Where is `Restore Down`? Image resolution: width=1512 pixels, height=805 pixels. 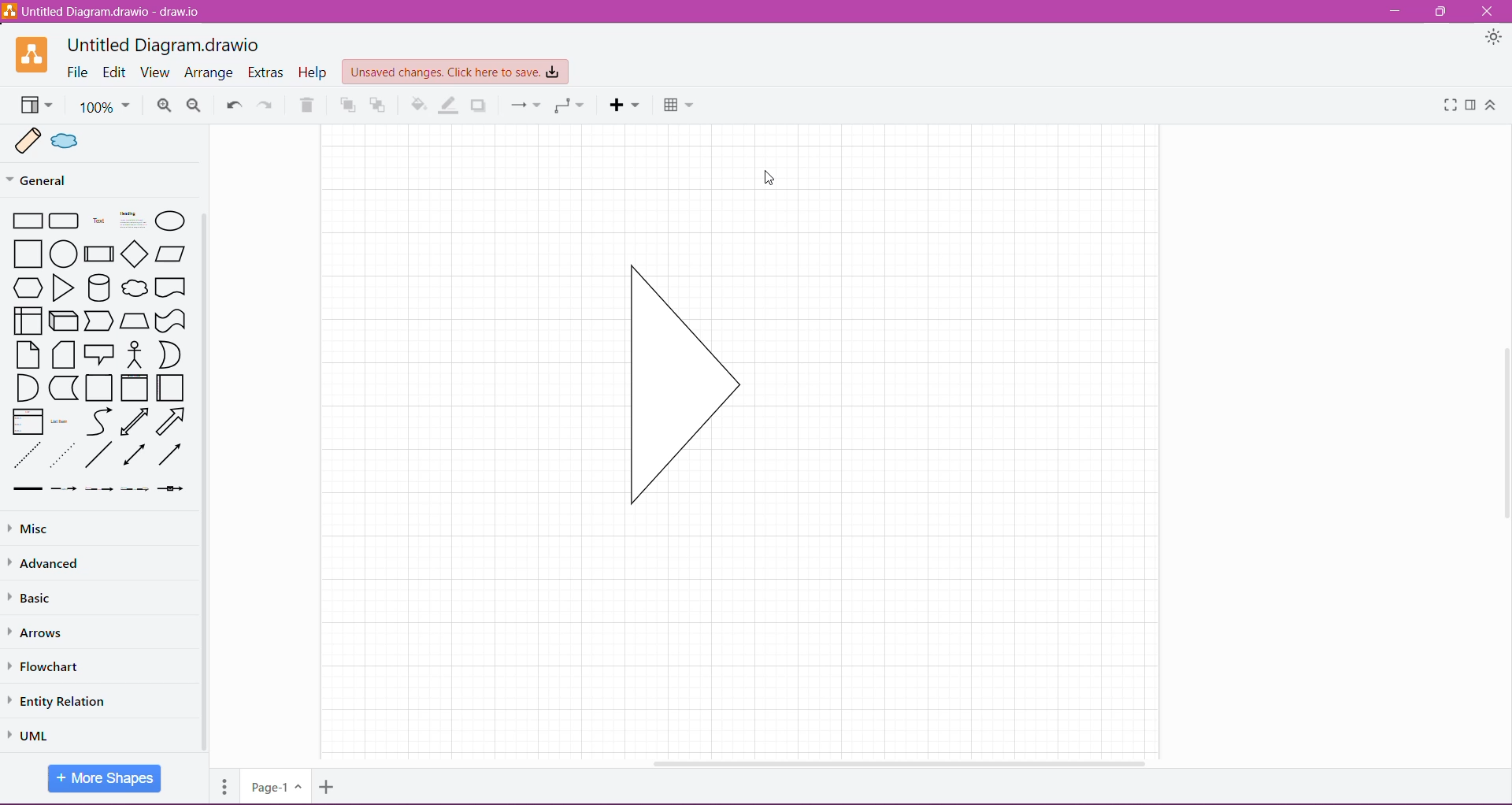 Restore Down is located at coordinates (1443, 11).